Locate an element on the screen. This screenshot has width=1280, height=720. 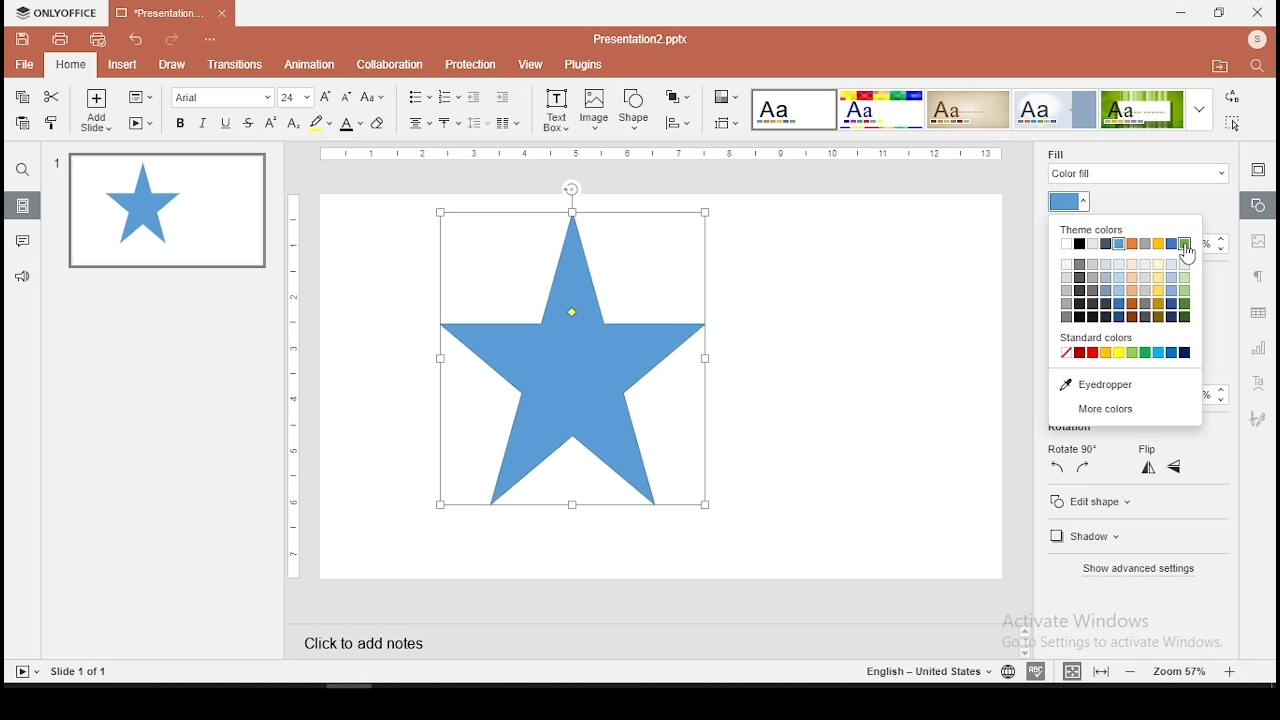
active shape is located at coordinates (573, 355).